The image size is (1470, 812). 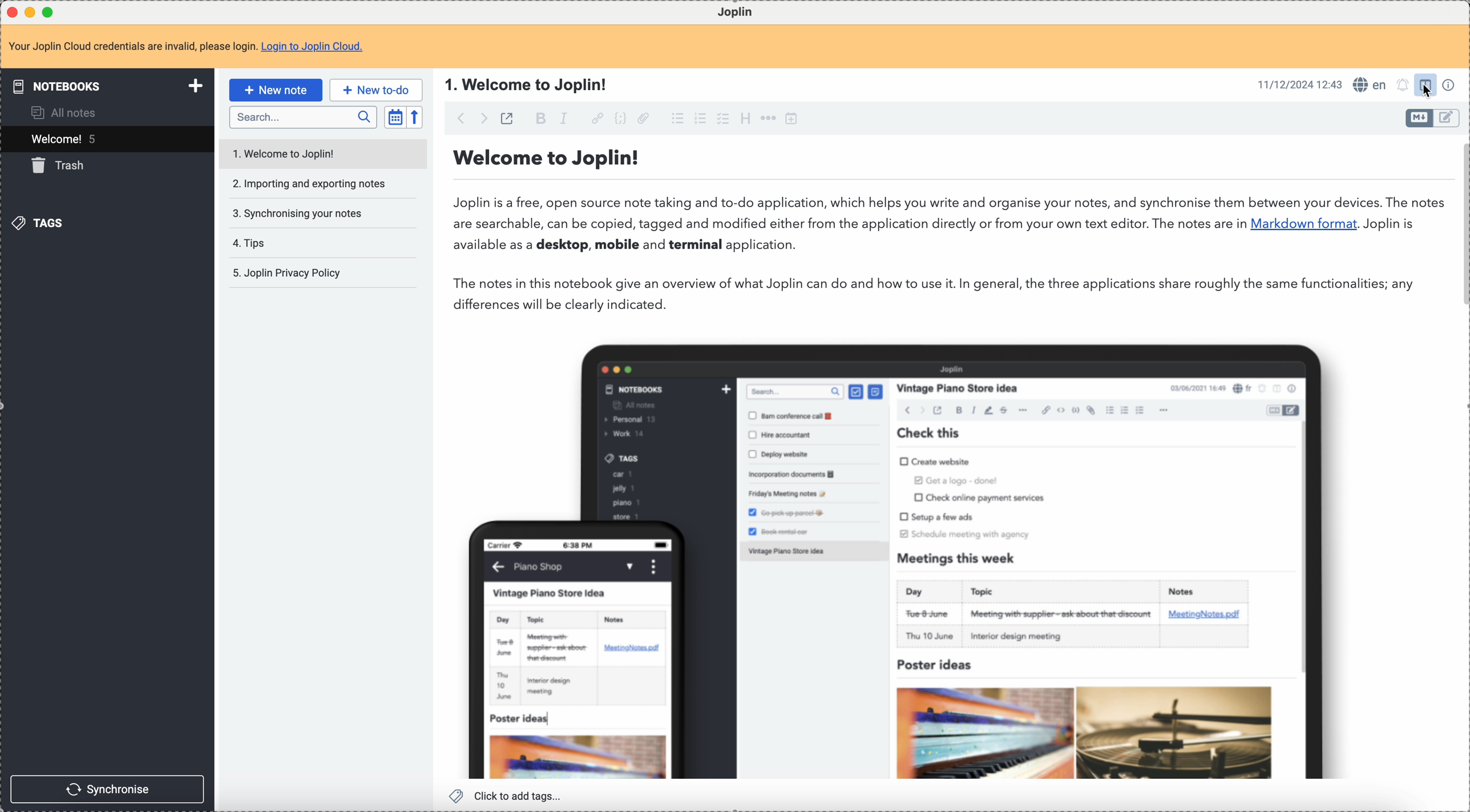 What do you see at coordinates (486, 119) in the screenshot?
I see `foward` at bounding box center [486, 119].